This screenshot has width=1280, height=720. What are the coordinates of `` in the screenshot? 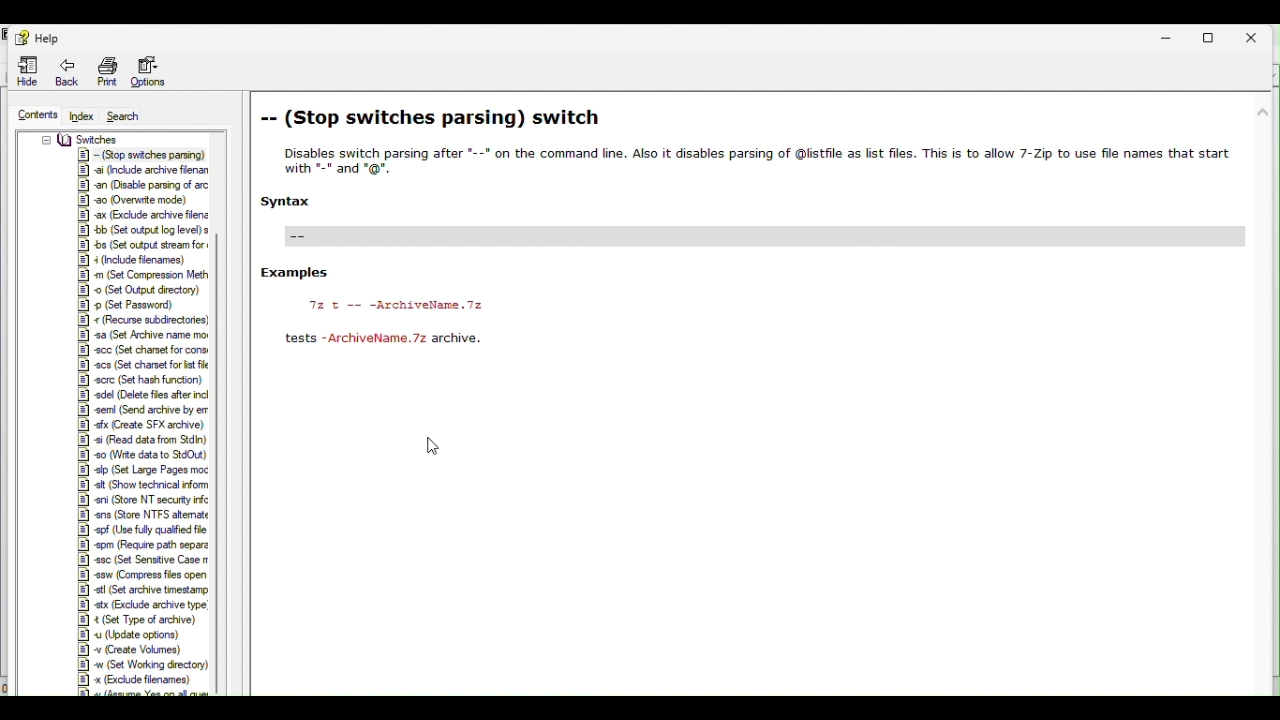 It's located at (144, 559).